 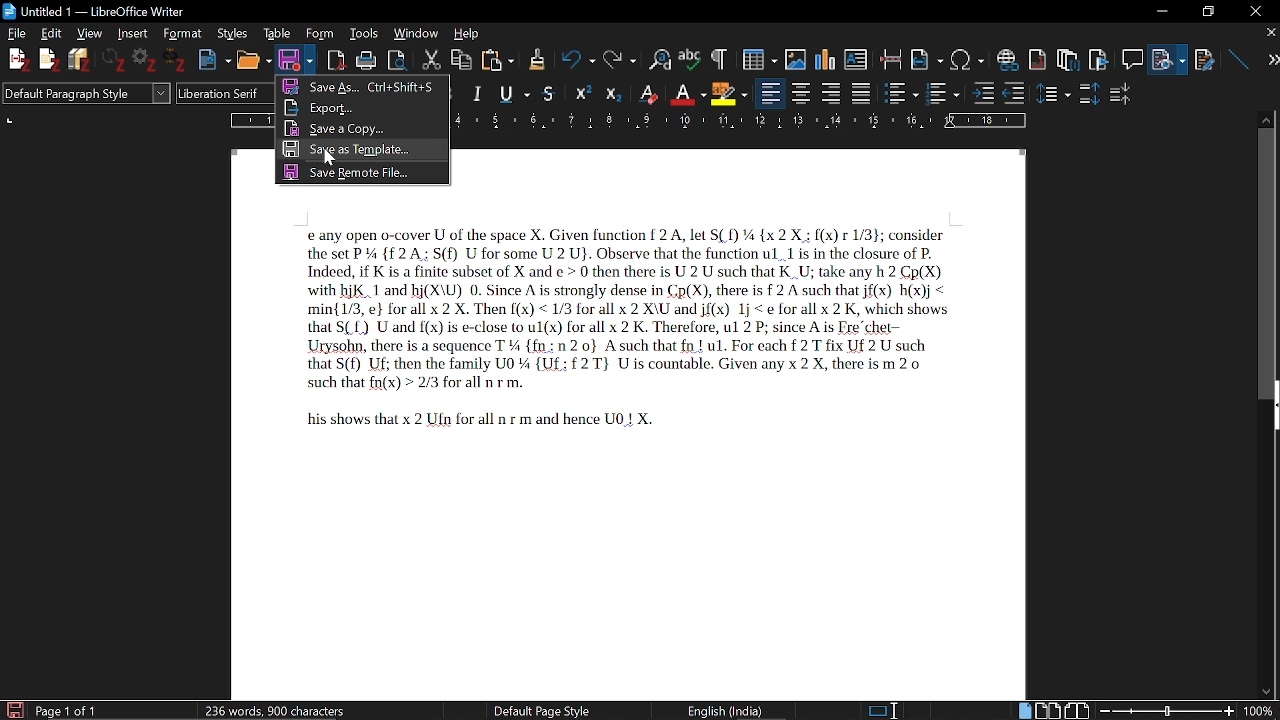 I want to click on Insert Image, so click(x=788, y=56).